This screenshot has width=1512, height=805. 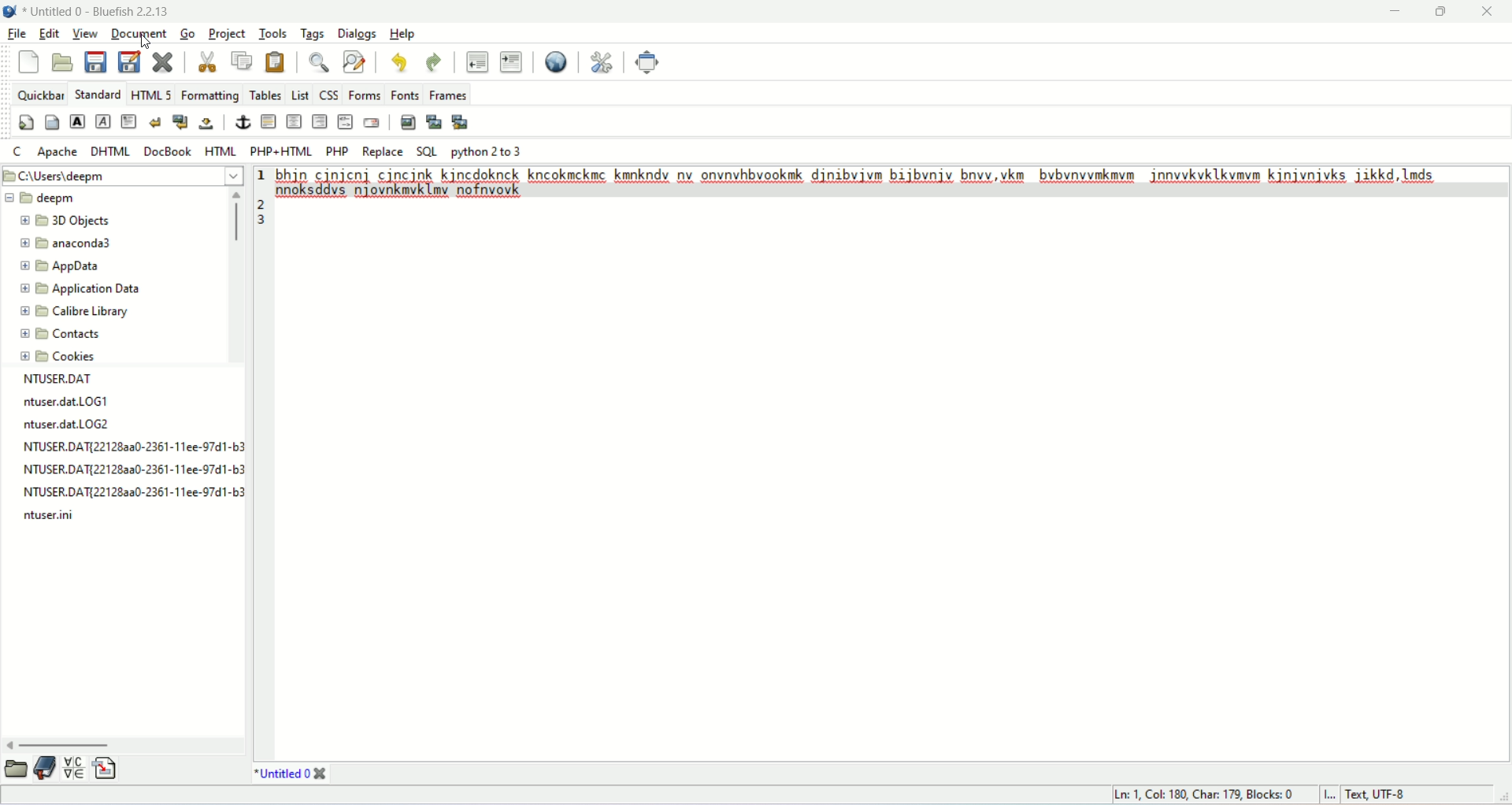 What do you see at coordinates (9, 12) in the screenshot?
I see `logo` at bounding box center [9, 12].